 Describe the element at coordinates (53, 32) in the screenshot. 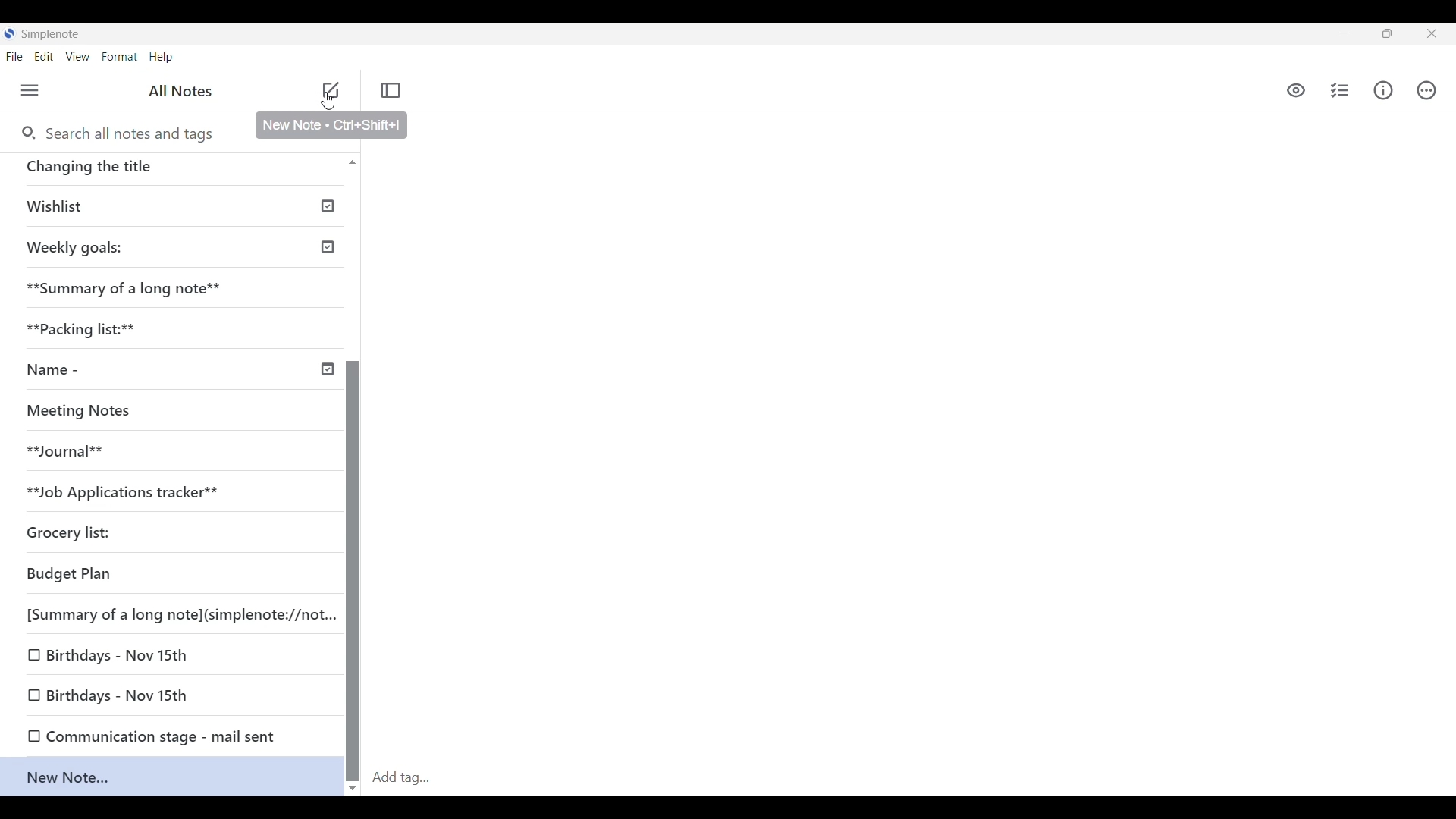

I see `Software note` at that location.